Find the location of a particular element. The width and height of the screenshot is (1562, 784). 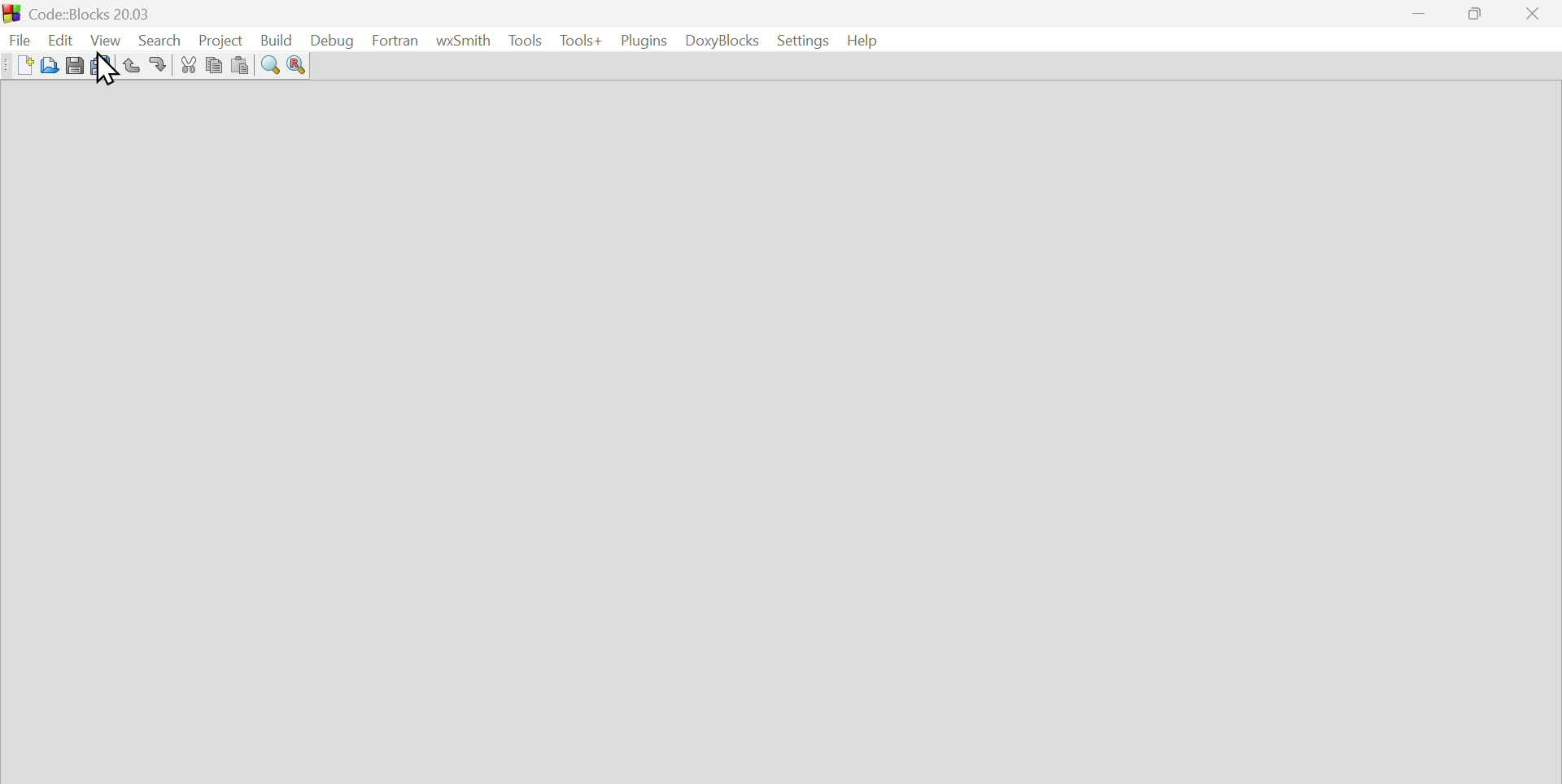

File is located at coordinates (19, 40).